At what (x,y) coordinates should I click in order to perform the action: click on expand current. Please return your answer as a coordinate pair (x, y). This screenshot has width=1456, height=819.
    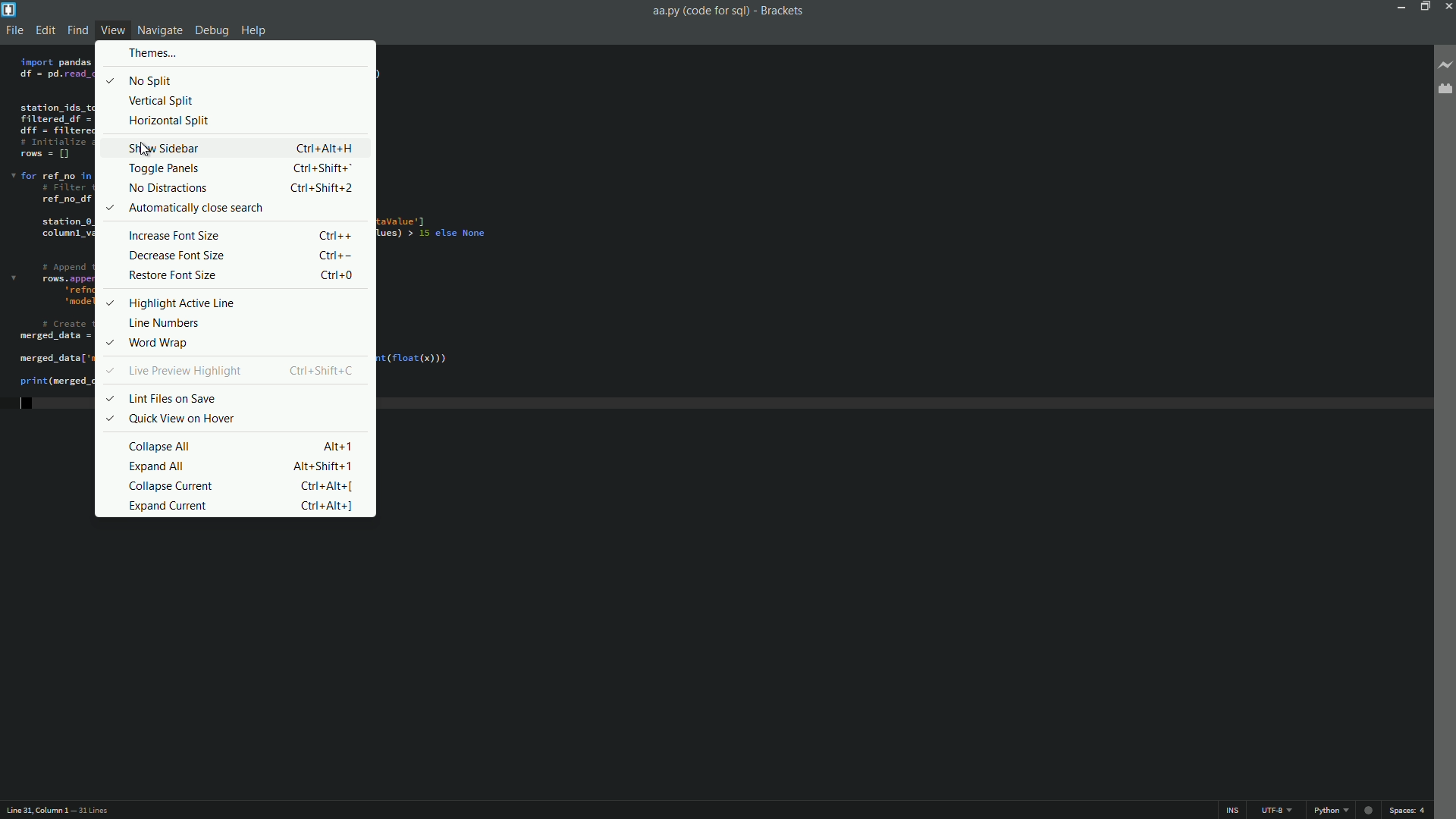
    Looking at the image, I should click on (239, 505).